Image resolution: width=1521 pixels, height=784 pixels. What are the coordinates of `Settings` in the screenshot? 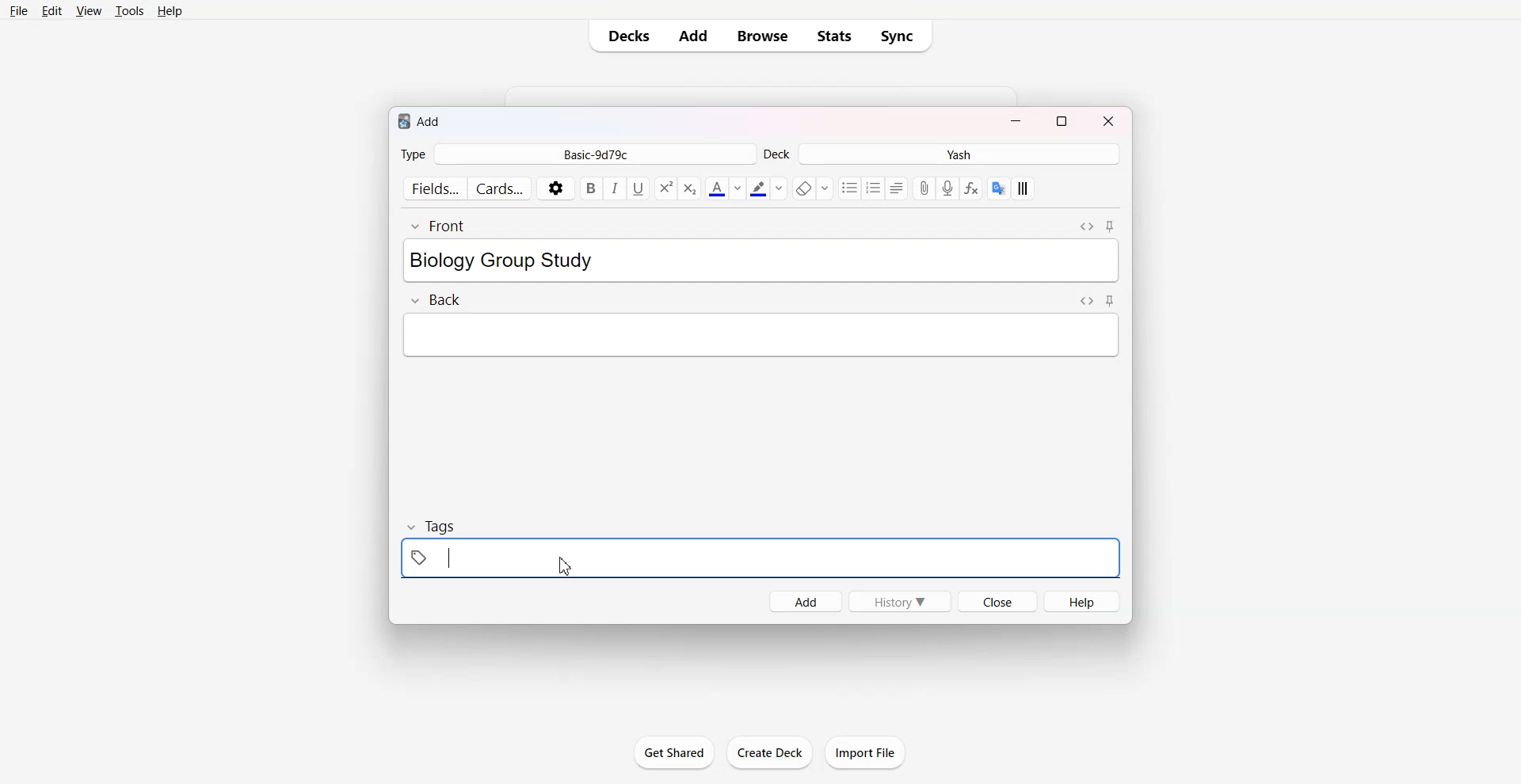 It's located at (556, 188).